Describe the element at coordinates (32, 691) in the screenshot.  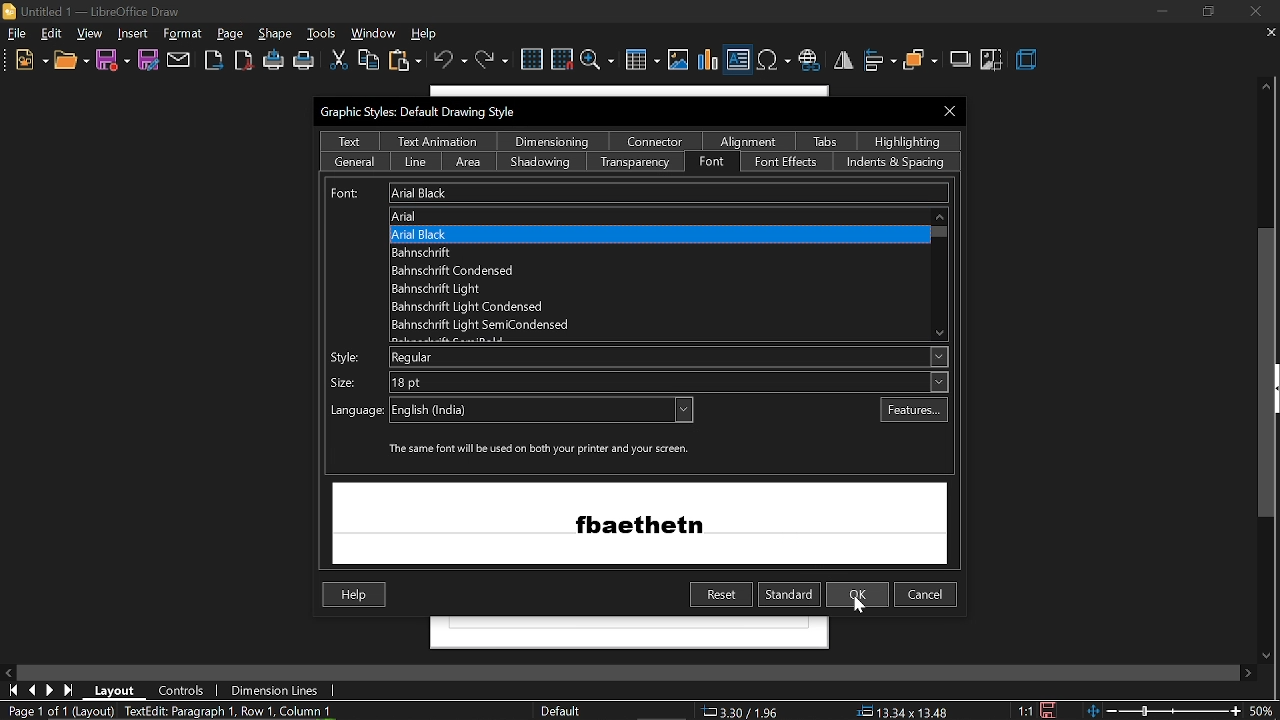
I see `go to previous page` at that location.